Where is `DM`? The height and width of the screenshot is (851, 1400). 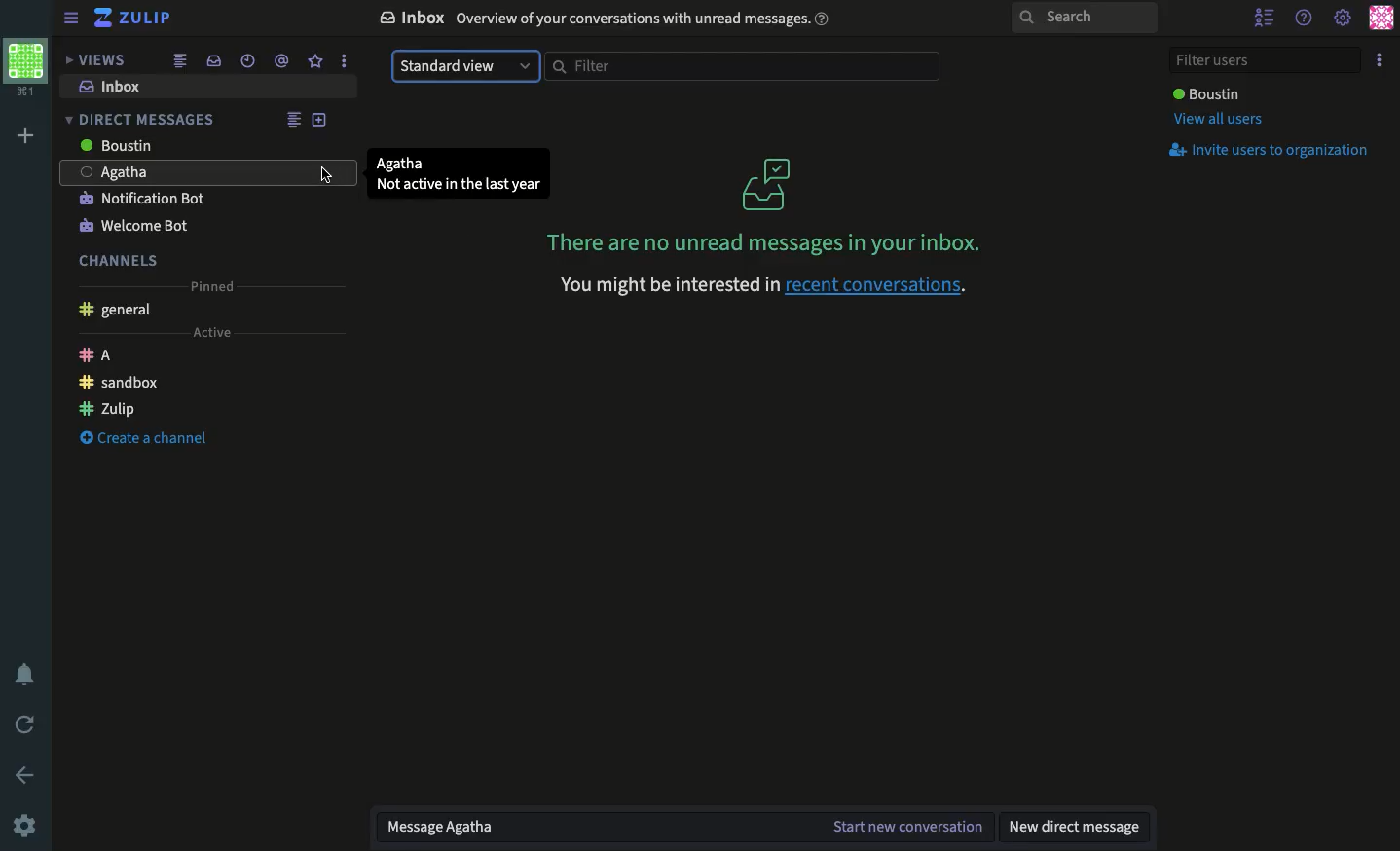
DM is located at coordinates (148, 121).